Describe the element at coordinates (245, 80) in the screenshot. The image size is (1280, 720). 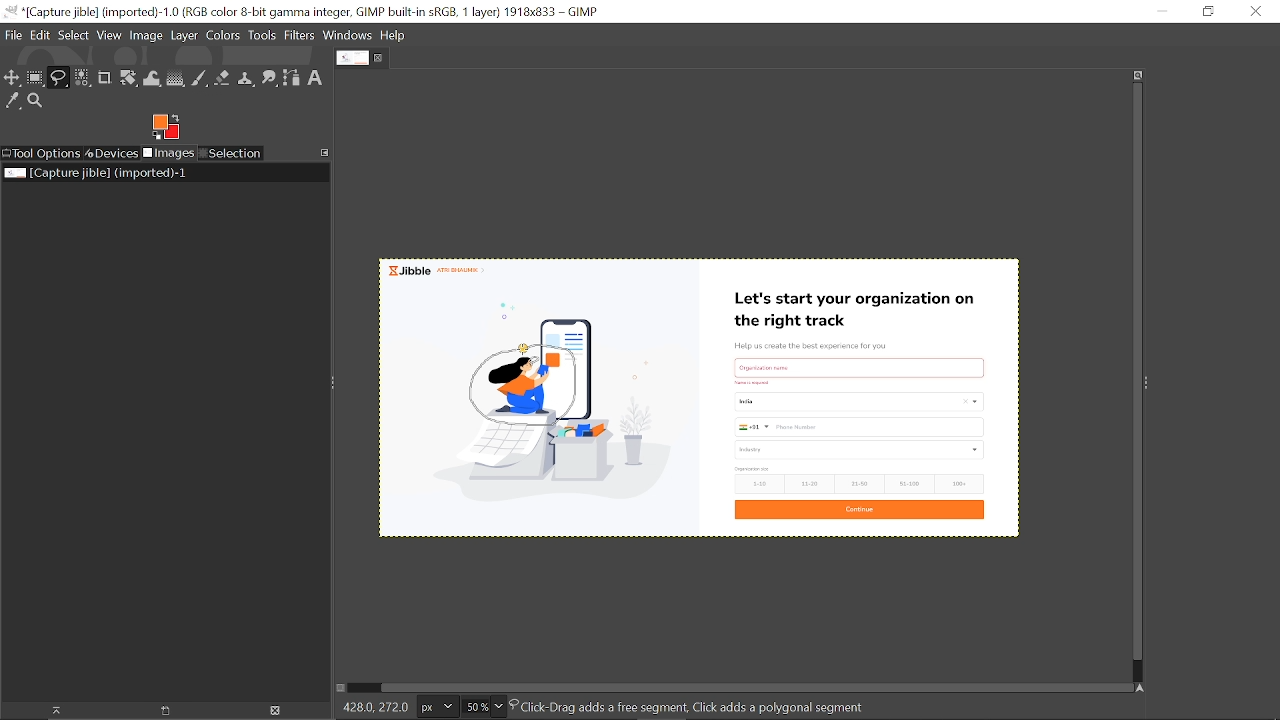
I see `Clone tool` at that location.